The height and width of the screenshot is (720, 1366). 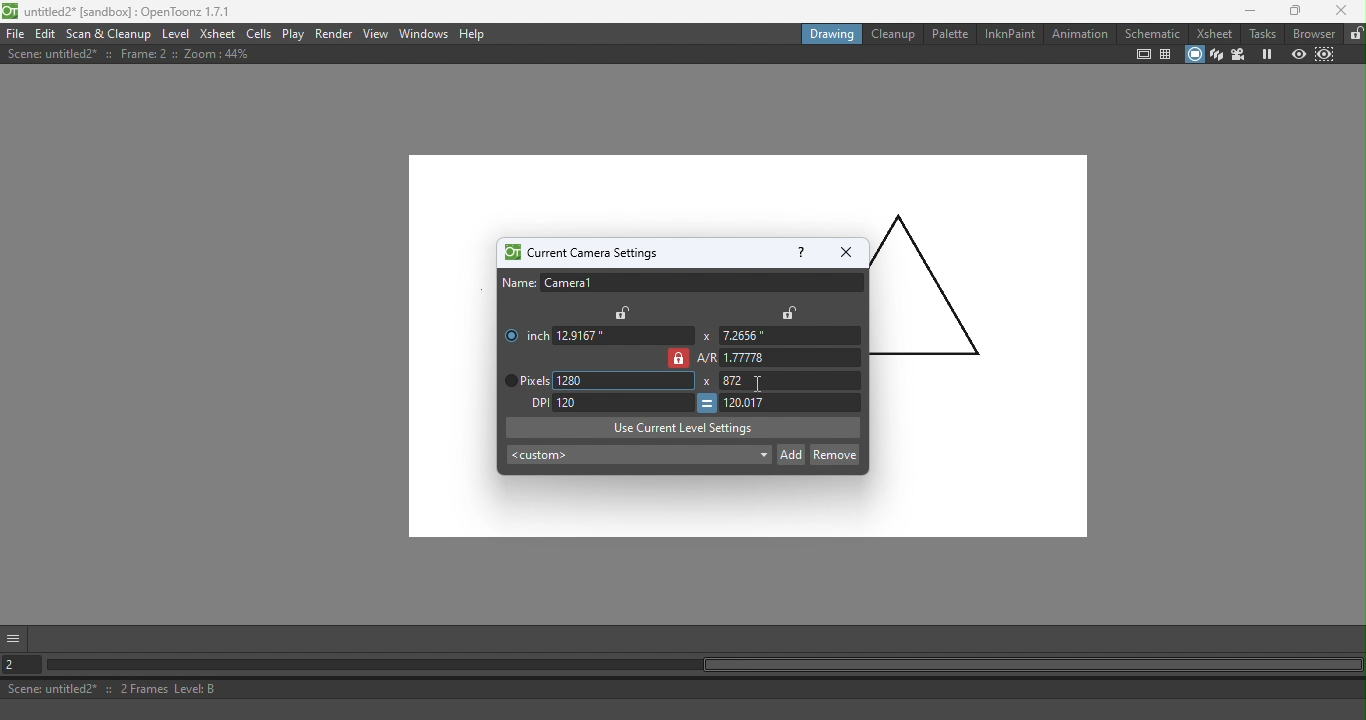 I want to click on Horizontal scroll bar, so click(x=704, y=666).